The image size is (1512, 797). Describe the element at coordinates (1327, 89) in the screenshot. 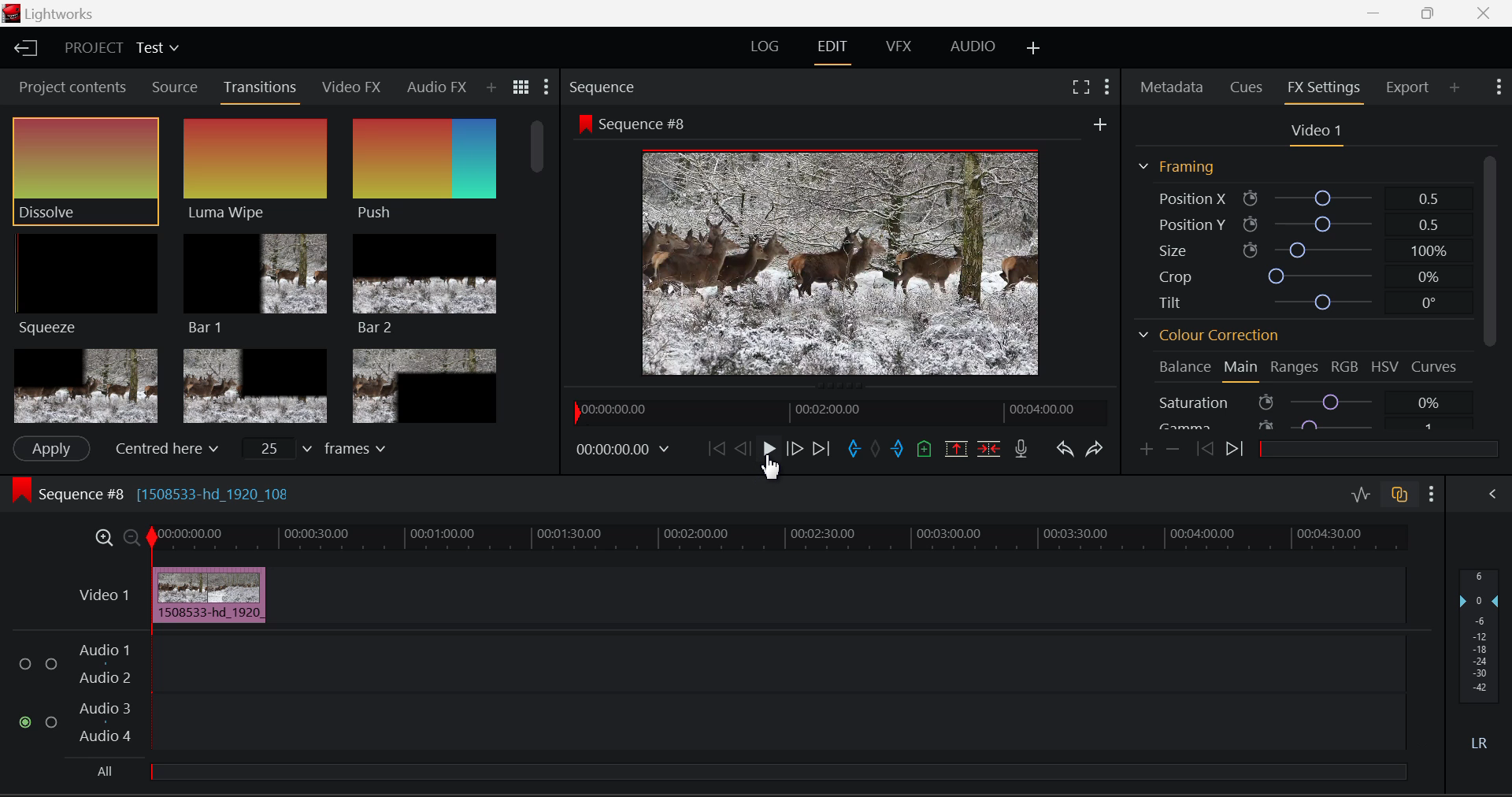

I see `FX Settings Open` at that location.